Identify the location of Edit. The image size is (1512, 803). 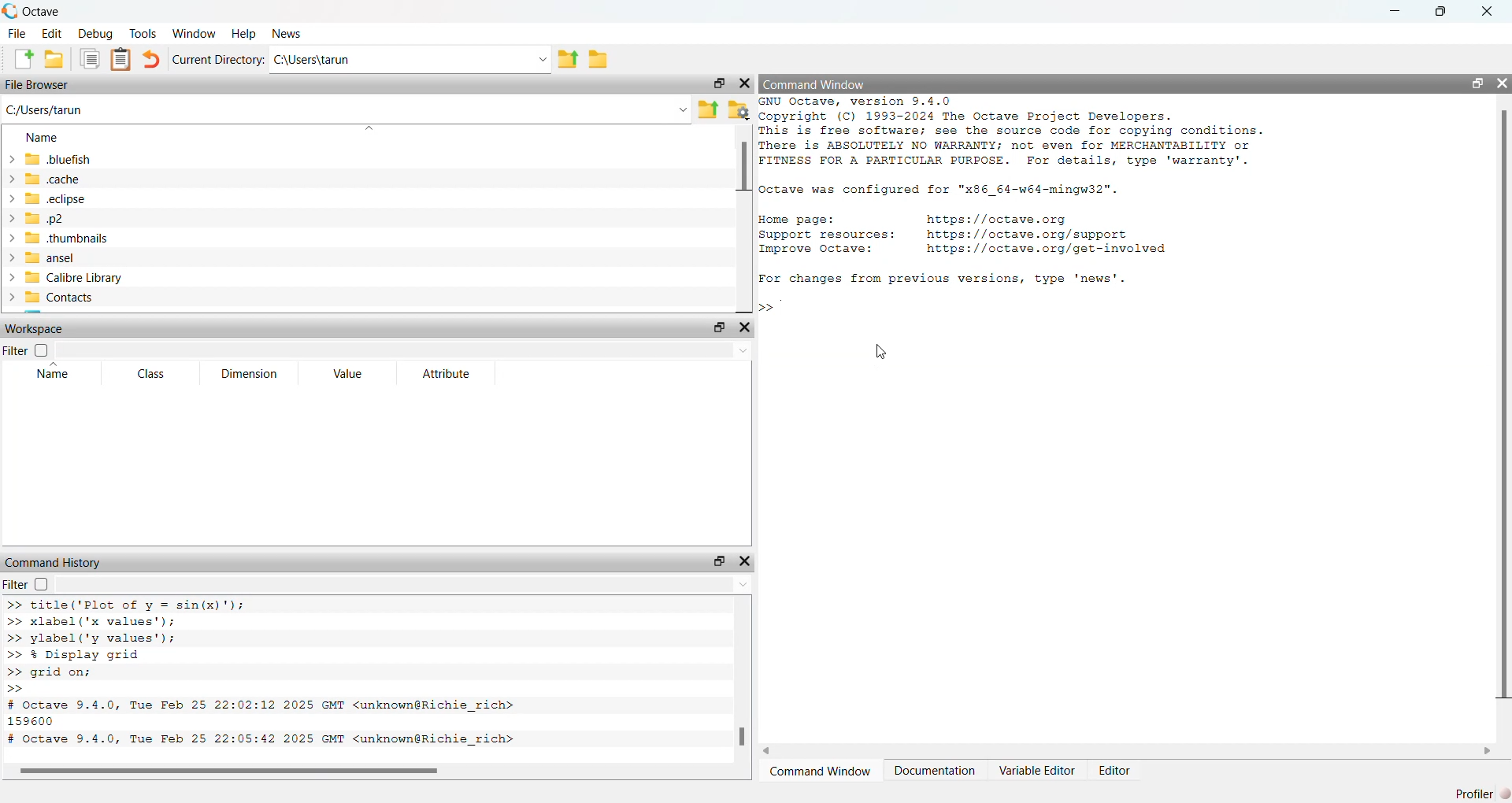
(52, 35).